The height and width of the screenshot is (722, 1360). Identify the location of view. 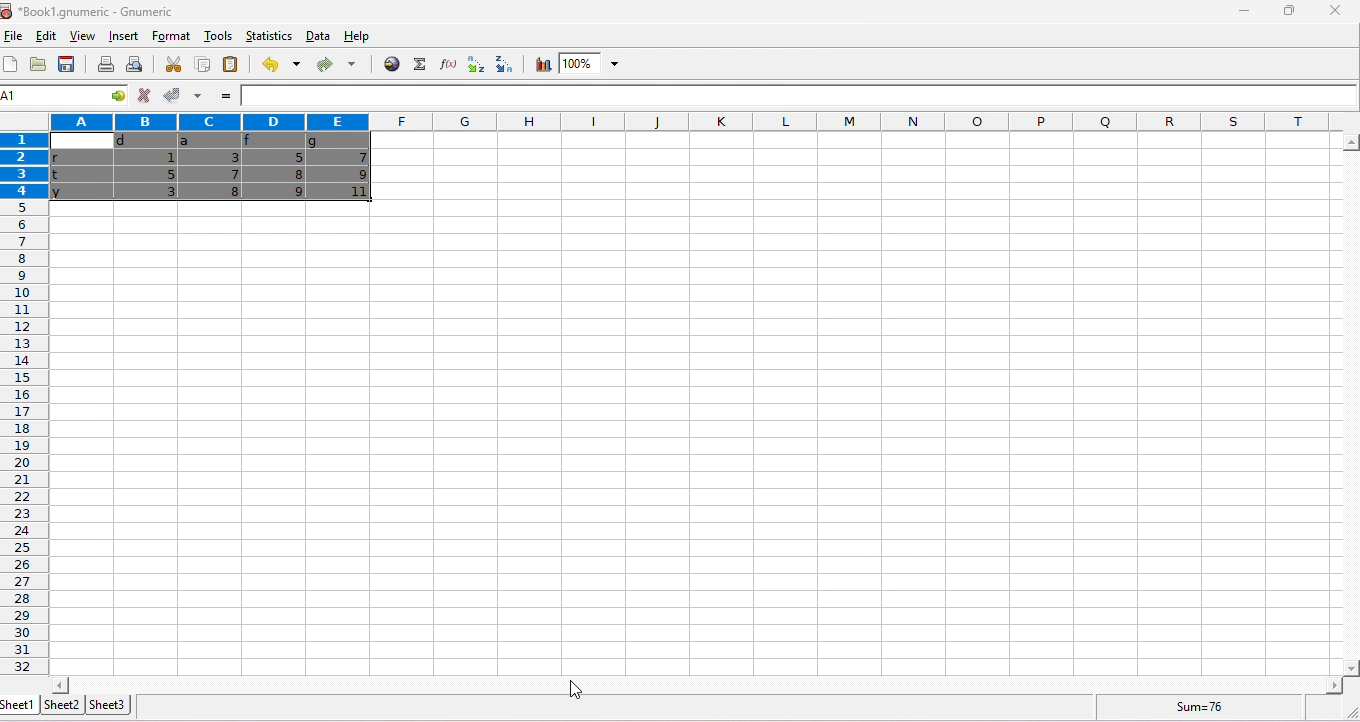
(80, 38).